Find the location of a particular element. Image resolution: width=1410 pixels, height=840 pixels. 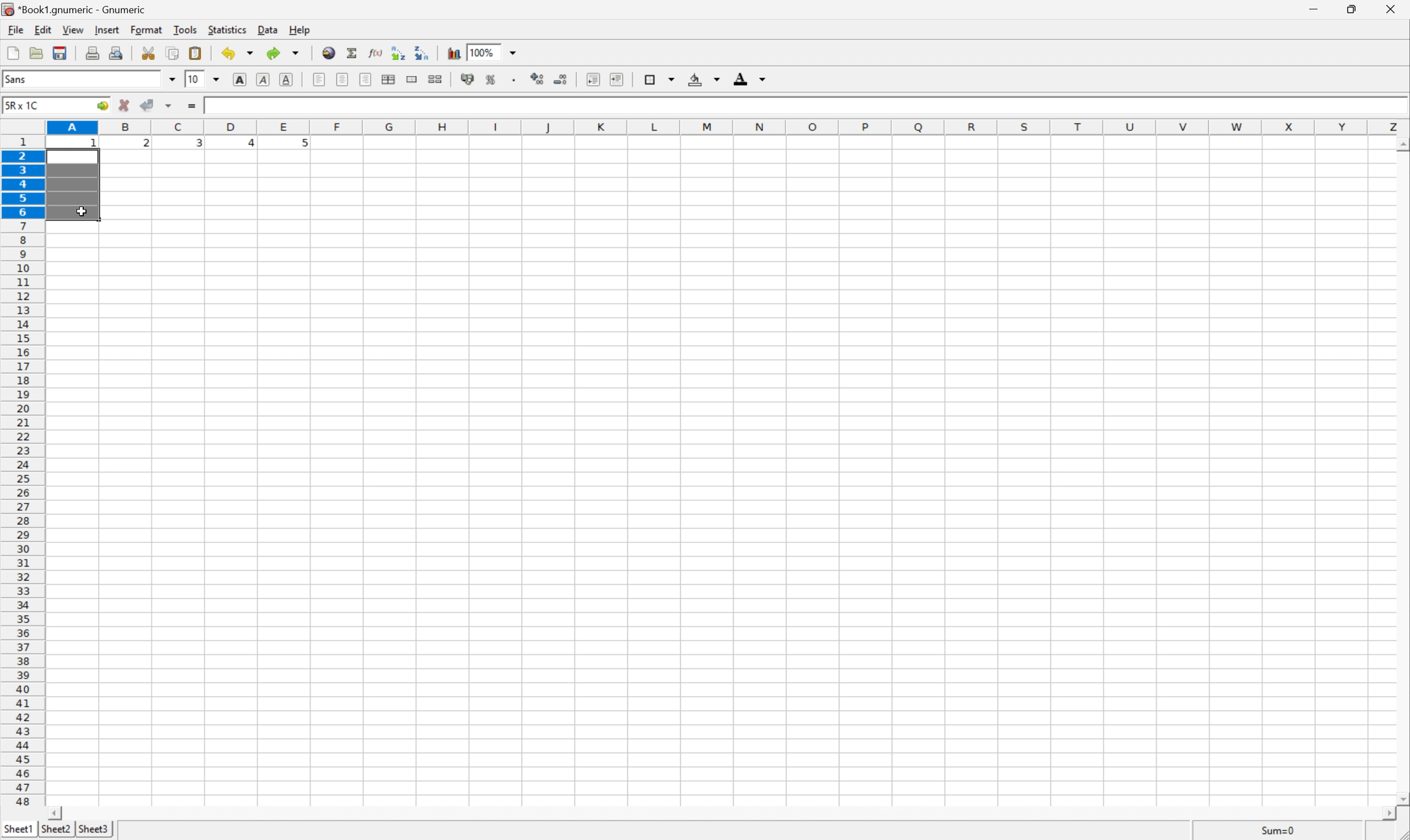

center horizontally is located at coordinates (344, 78).